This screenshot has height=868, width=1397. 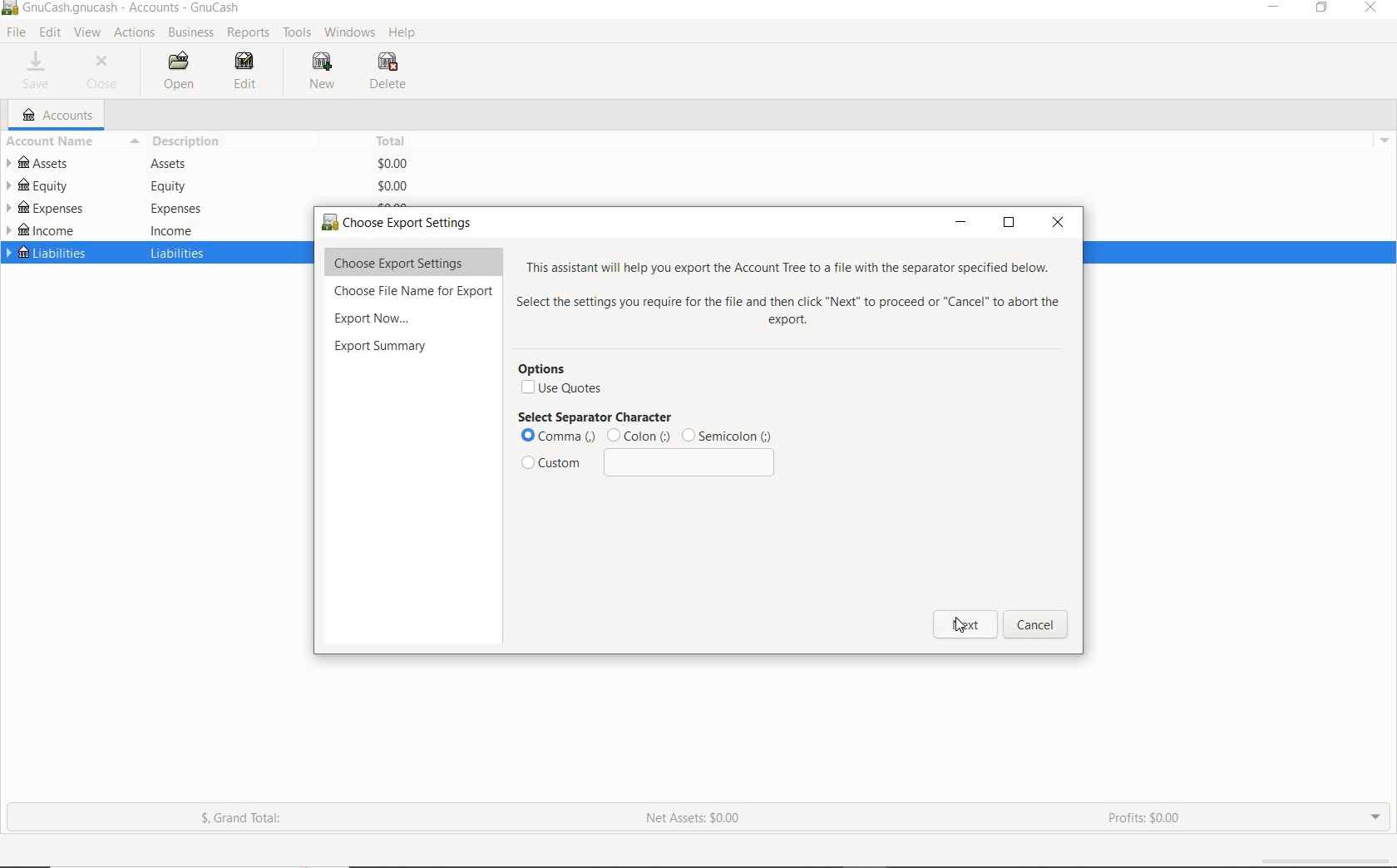 What do you see at coordinates (697, 821) in the screenshot?
I see `NET ASSETS` at bounding box center [697, 821].